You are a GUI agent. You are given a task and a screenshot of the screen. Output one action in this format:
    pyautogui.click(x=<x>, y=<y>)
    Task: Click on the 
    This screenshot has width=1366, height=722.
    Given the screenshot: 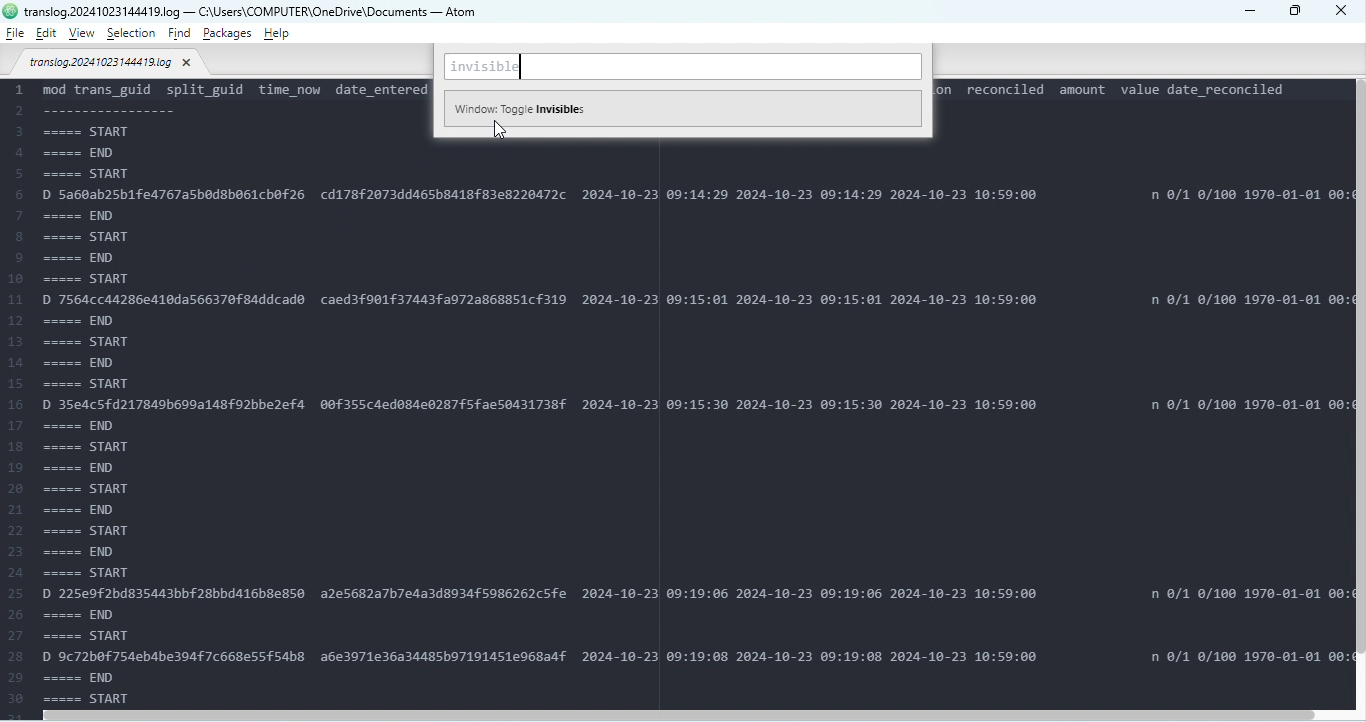 What is the action you would take?
    pyautogui.click(x=10, y=11)
    